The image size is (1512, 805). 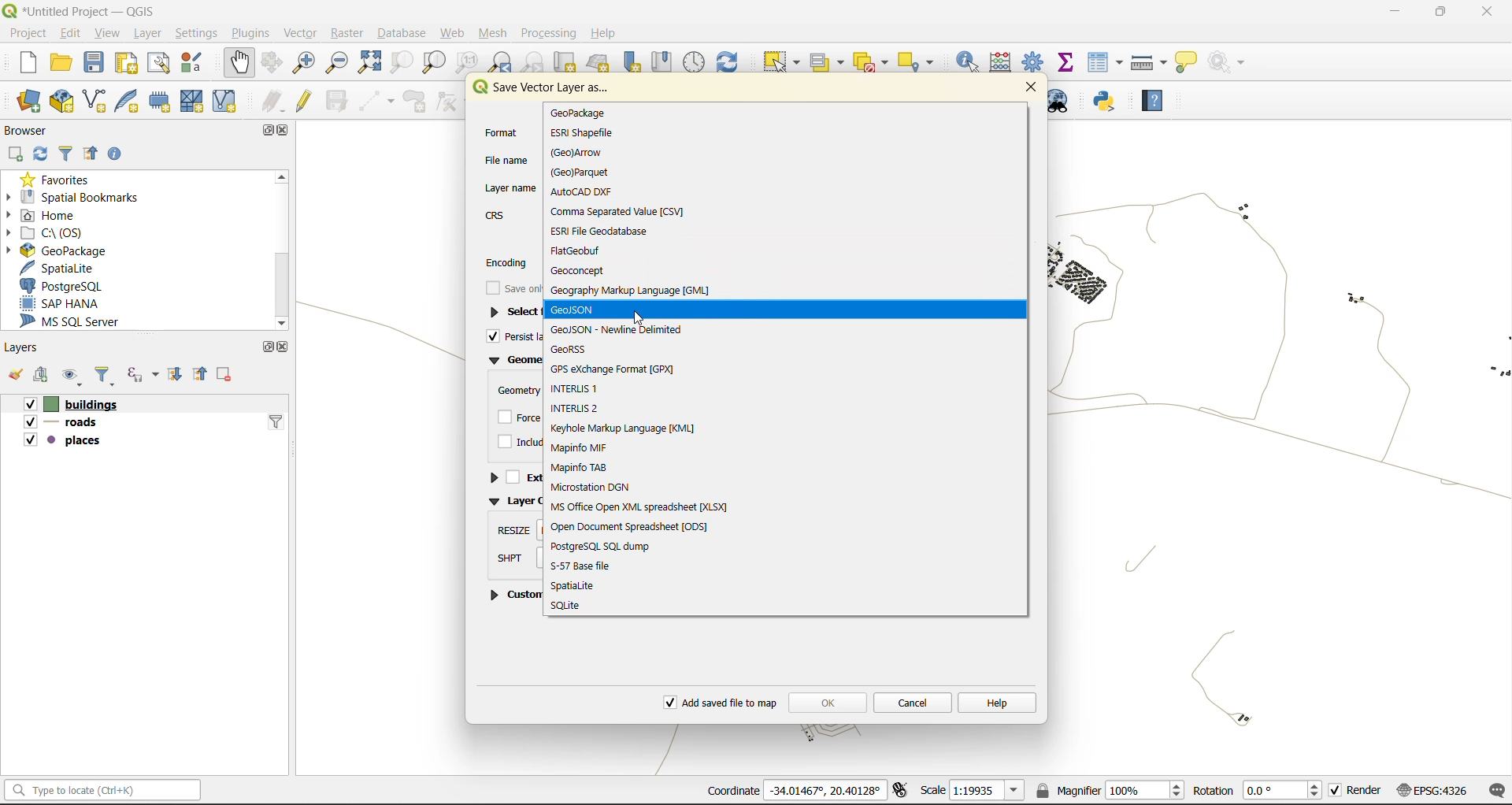 I want to click on filter, so click(x=276, y=421).